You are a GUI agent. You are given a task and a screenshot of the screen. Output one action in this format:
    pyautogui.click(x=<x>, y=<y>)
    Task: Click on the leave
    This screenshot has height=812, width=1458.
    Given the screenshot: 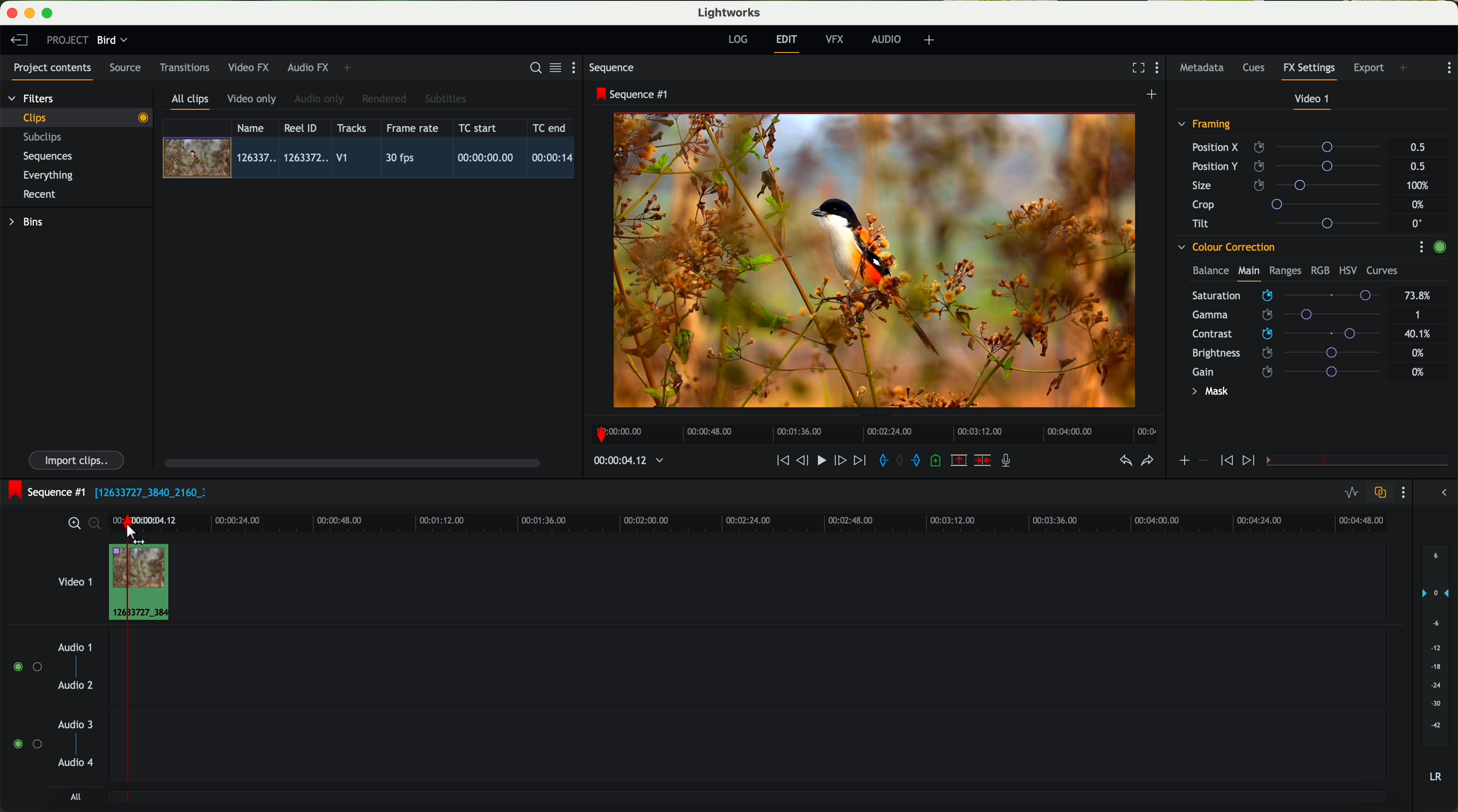 What is the action you would take?
    pyautogui.click(x=19, y=41)
    